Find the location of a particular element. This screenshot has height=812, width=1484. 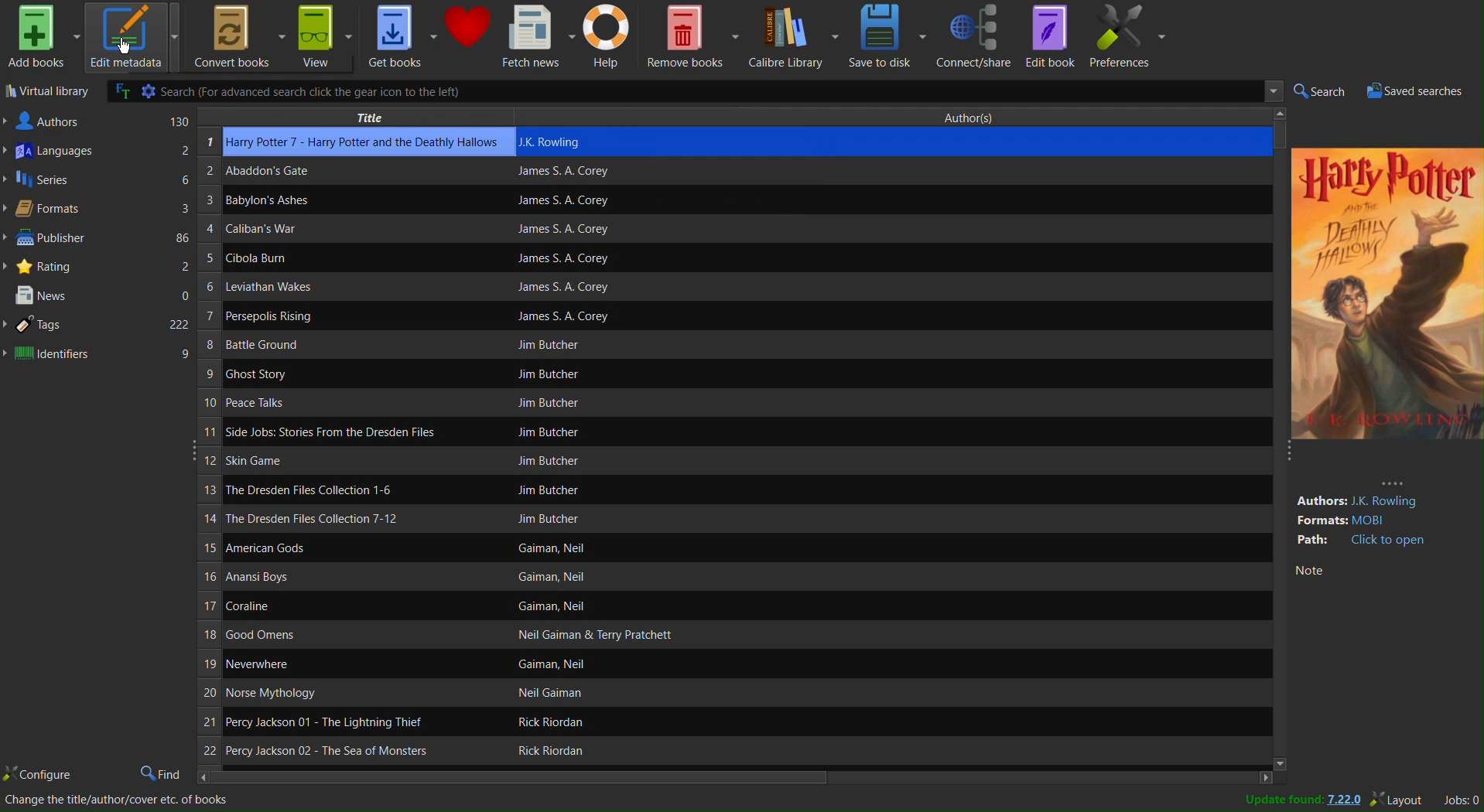

Author’s name is located at coordinates (768, 435).